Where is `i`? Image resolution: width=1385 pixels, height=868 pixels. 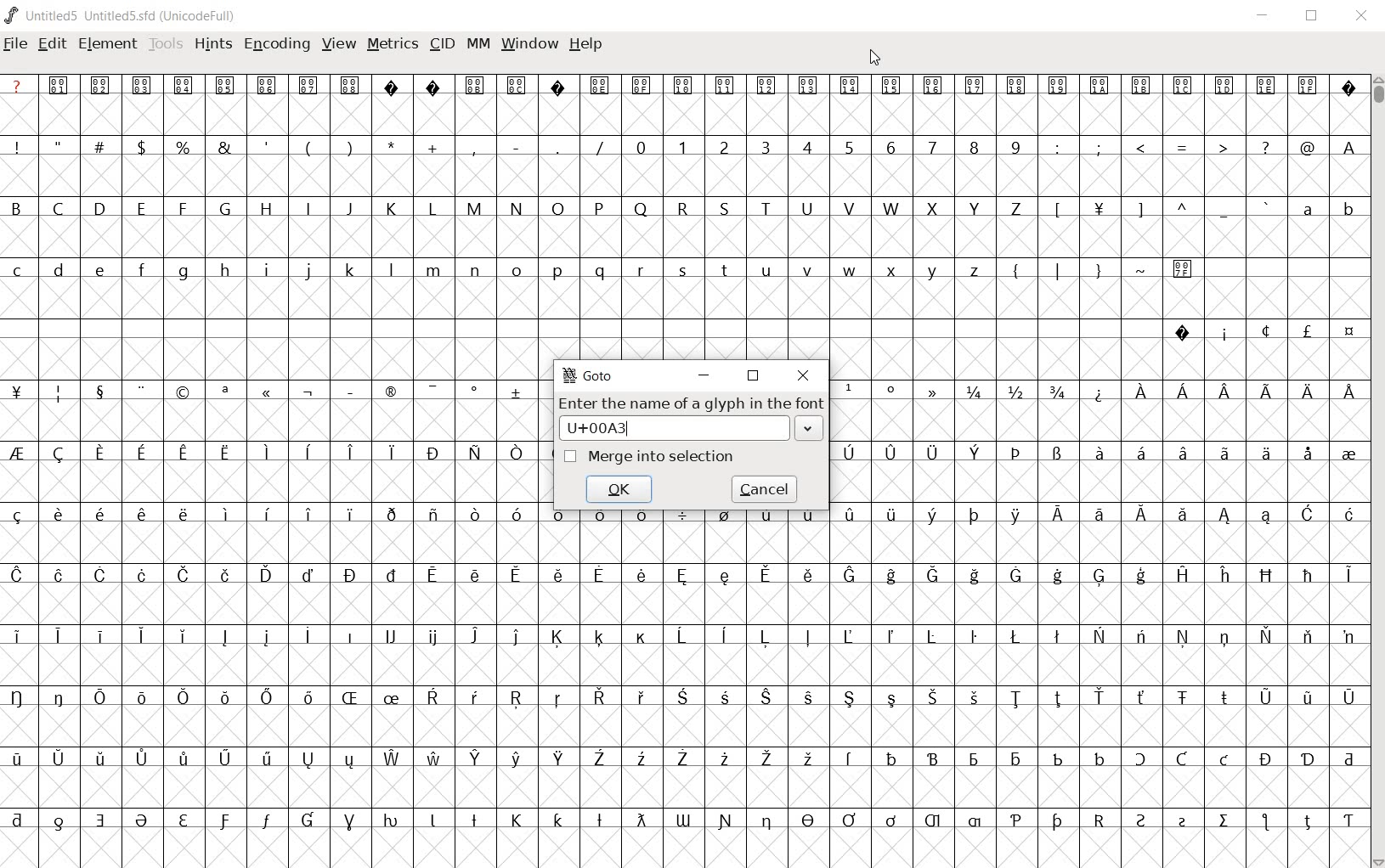 i is located at coordinates (266, 271).